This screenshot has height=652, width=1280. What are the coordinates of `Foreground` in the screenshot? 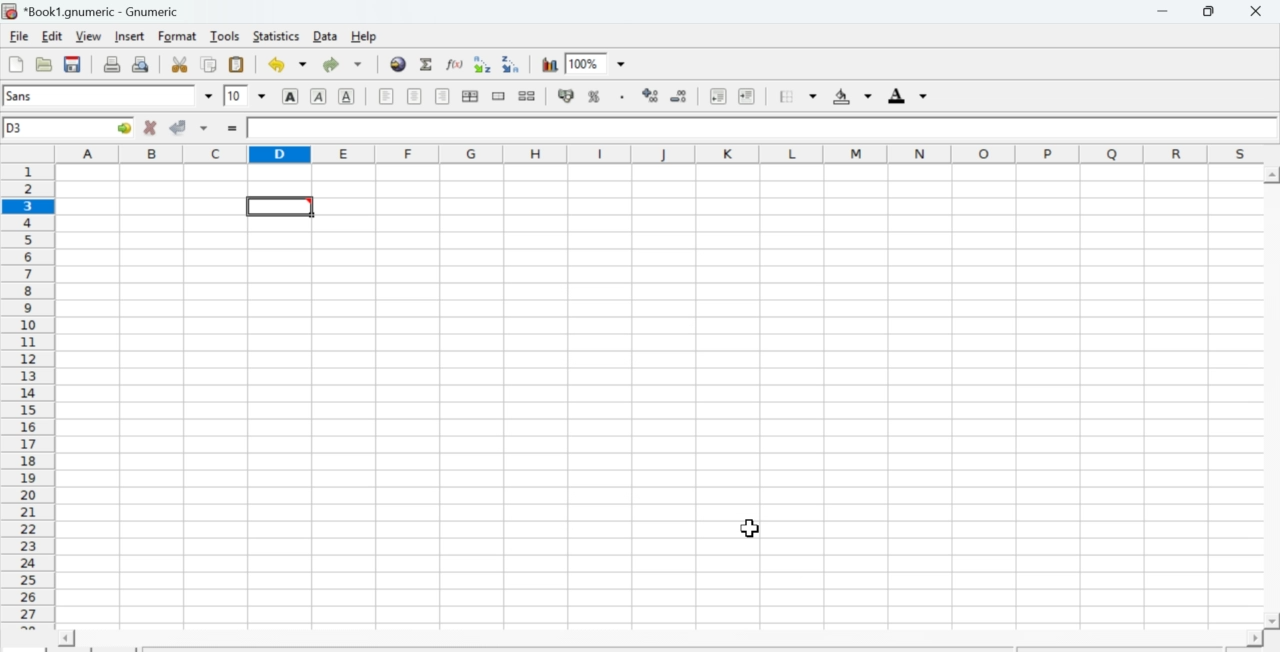 It's located at (908, 97).